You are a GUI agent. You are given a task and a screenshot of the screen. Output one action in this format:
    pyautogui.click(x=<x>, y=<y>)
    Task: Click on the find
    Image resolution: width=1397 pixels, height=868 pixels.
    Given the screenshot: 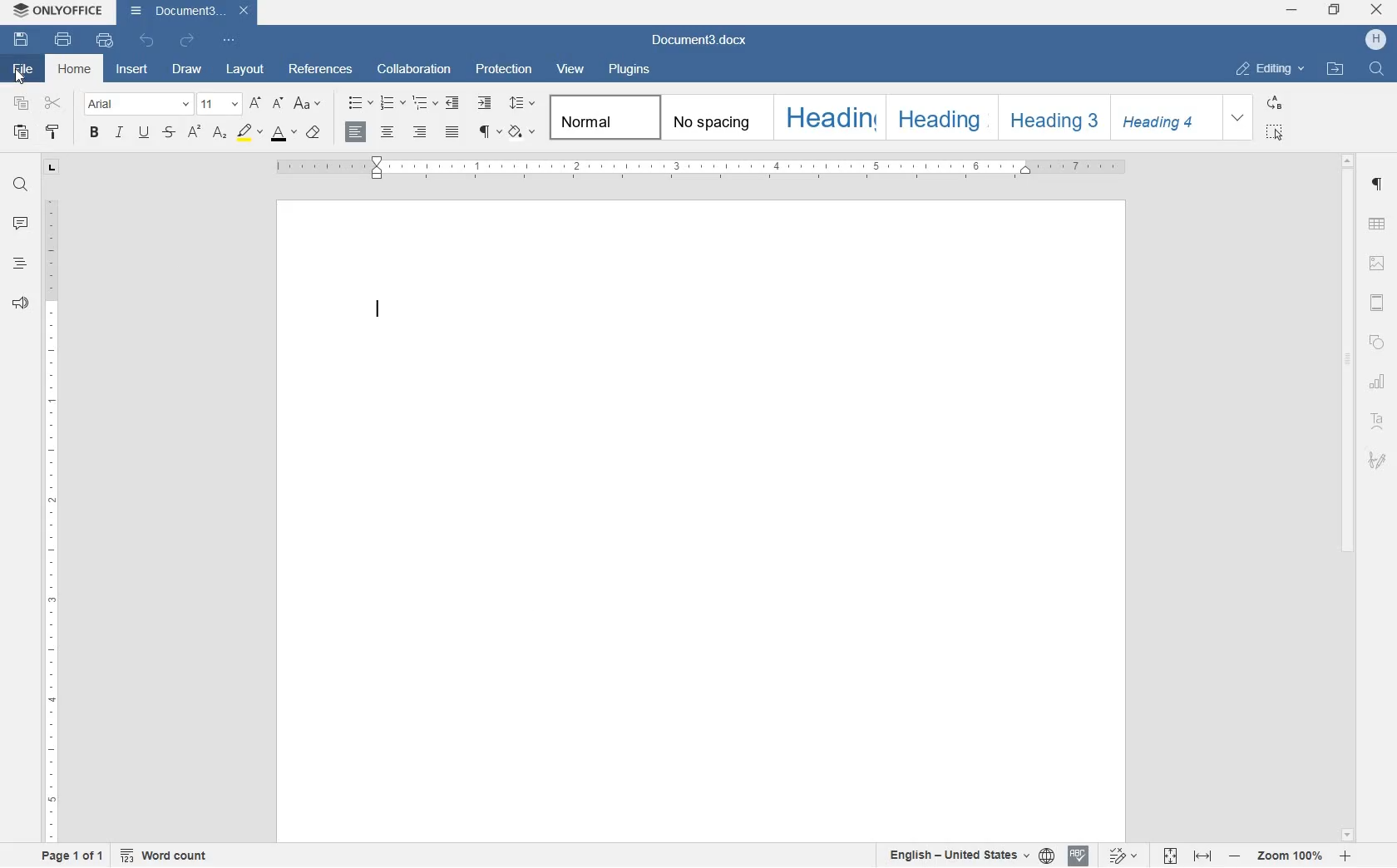 What is the action you would take?
    pyautogui.click(x=19, y=188)
    